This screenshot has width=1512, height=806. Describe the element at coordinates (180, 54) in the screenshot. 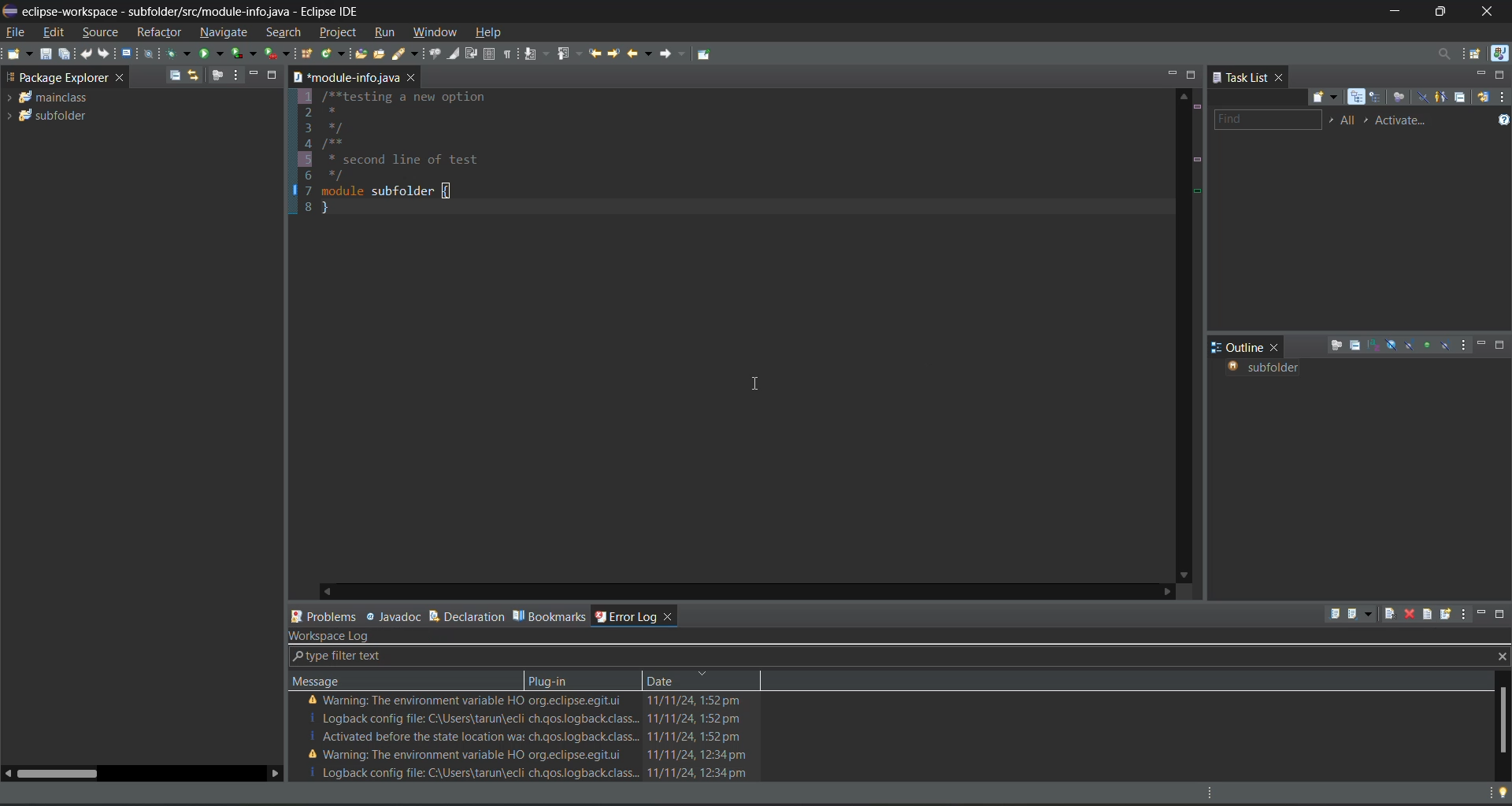

I see `debug` at that location.